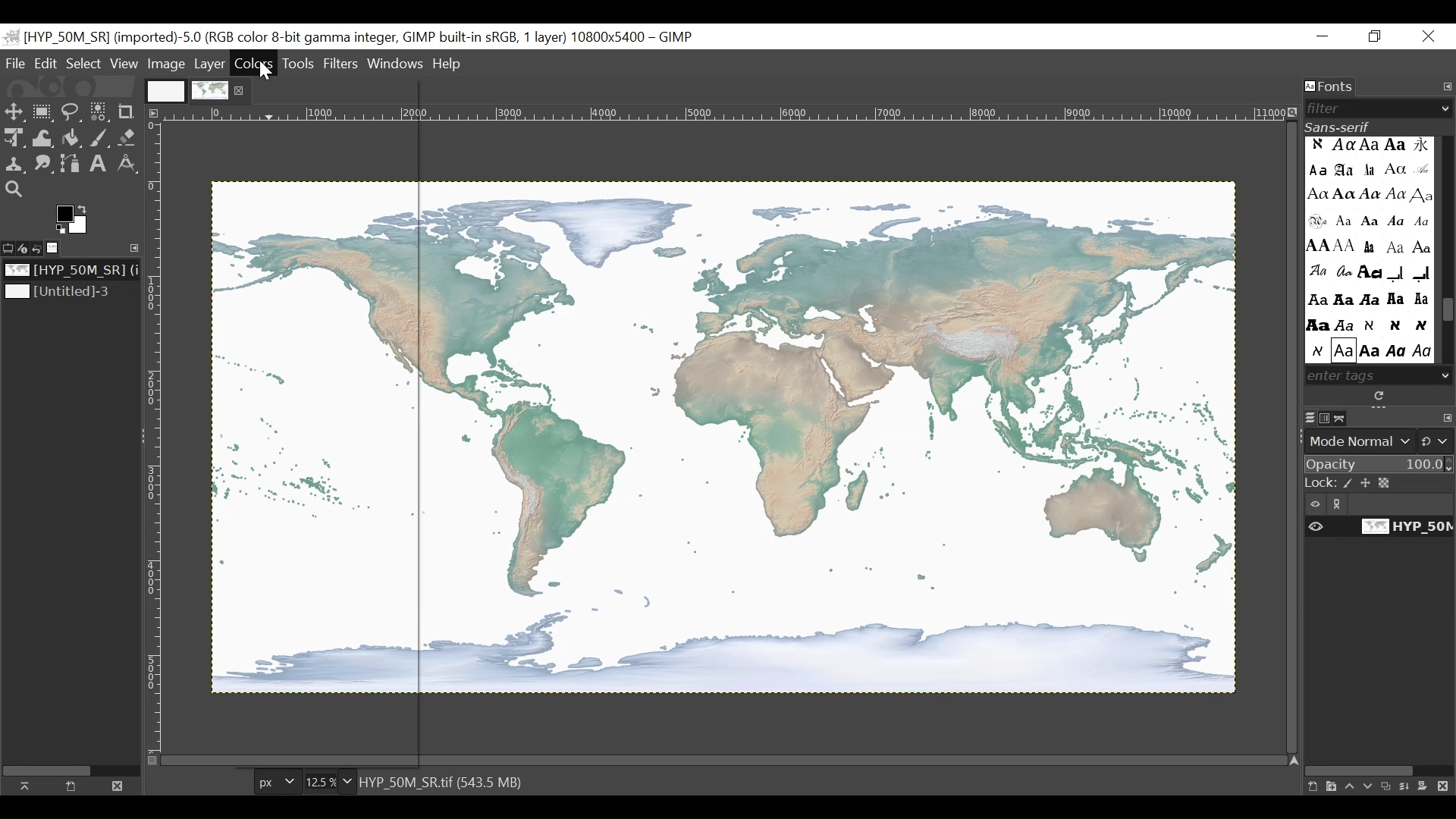  I want to click on Filters, so click(343, 63).